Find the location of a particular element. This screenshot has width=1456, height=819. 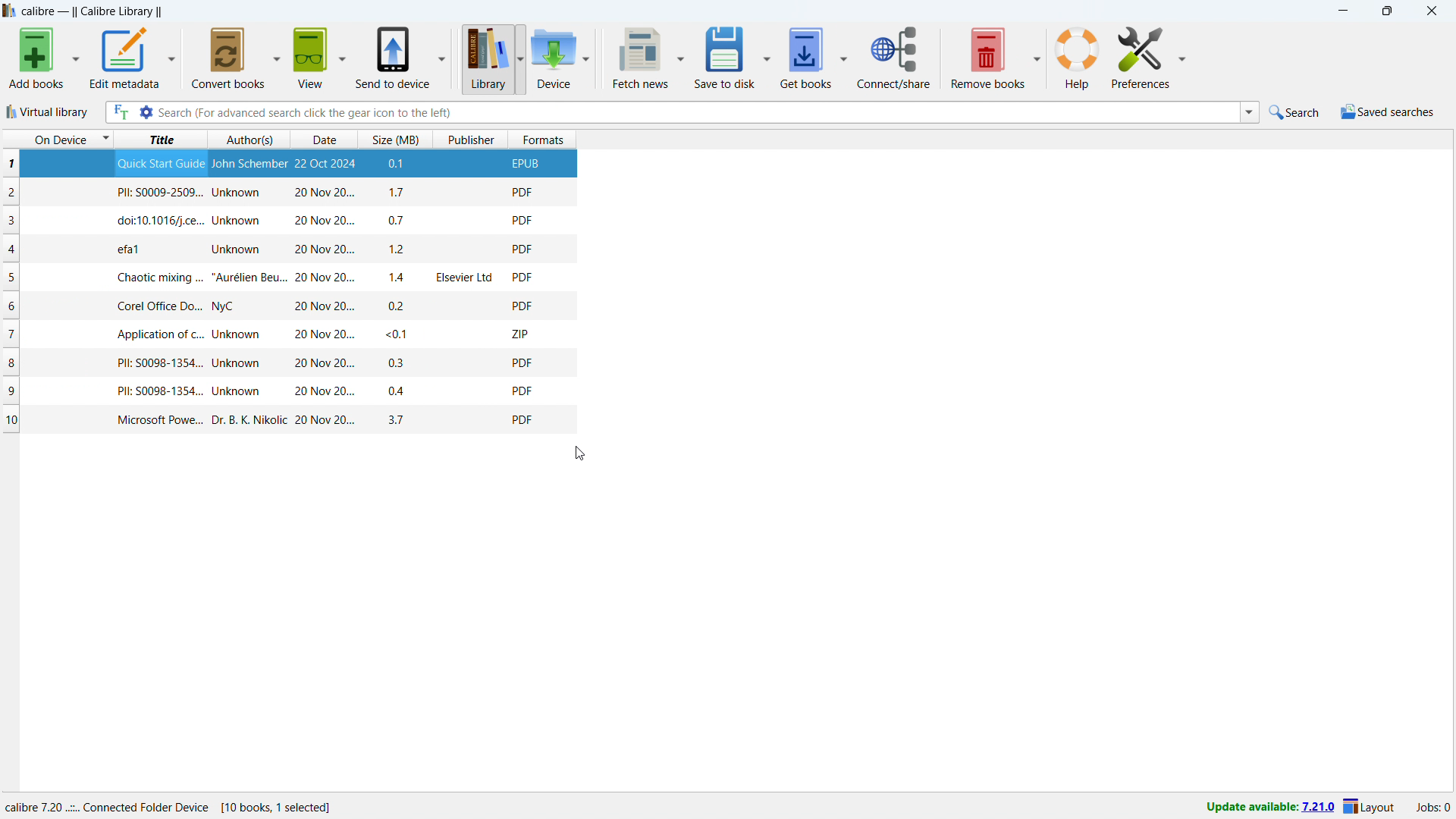

sort by authors is located at coordinates (253, 140).